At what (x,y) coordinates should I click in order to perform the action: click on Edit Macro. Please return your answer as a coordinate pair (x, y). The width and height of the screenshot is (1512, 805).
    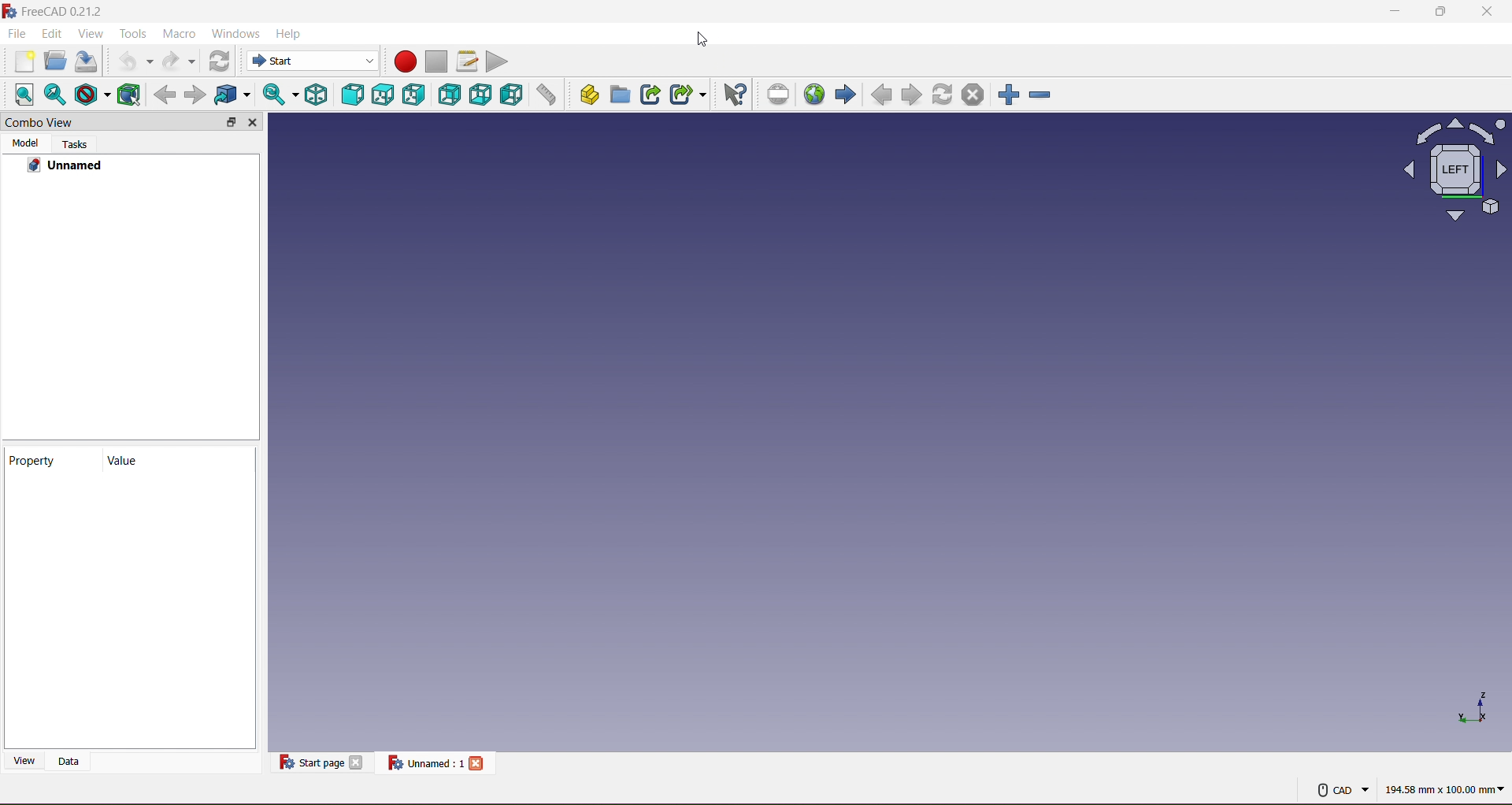
    Looking at the image, I should click on (466, 61).